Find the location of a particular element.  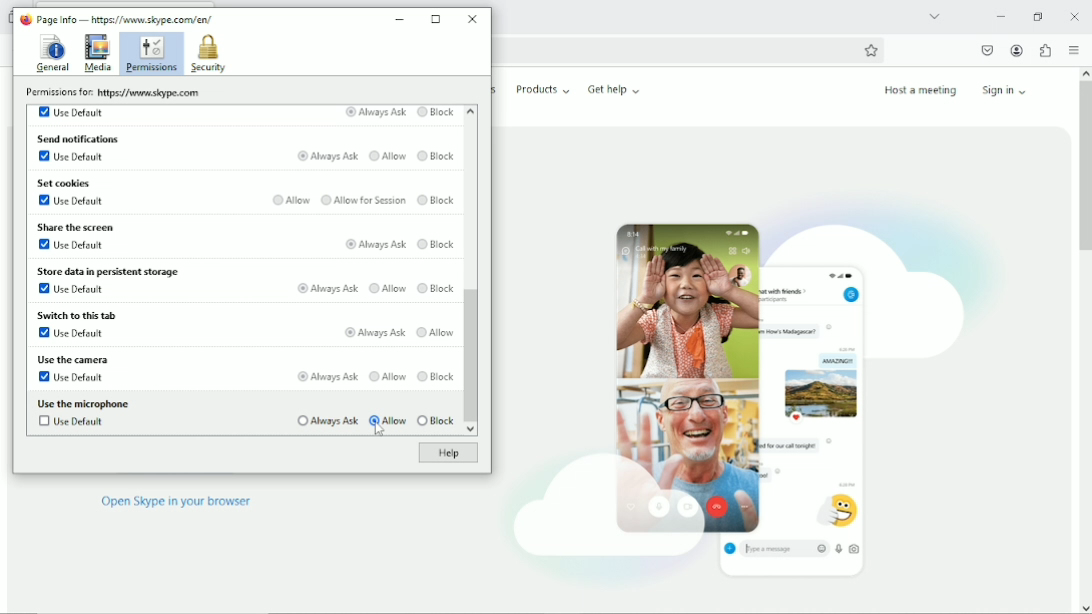

Allow is located at coordinates (388, 419).